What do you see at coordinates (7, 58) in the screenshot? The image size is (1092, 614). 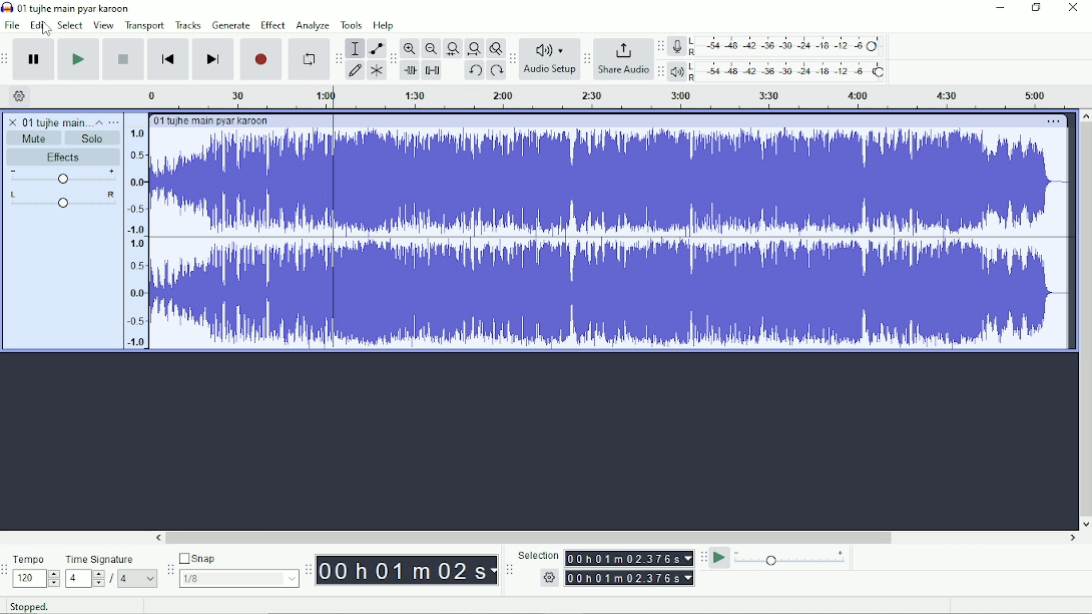 I see `Audacity transport toolbar` at bounding box center [7, 58].